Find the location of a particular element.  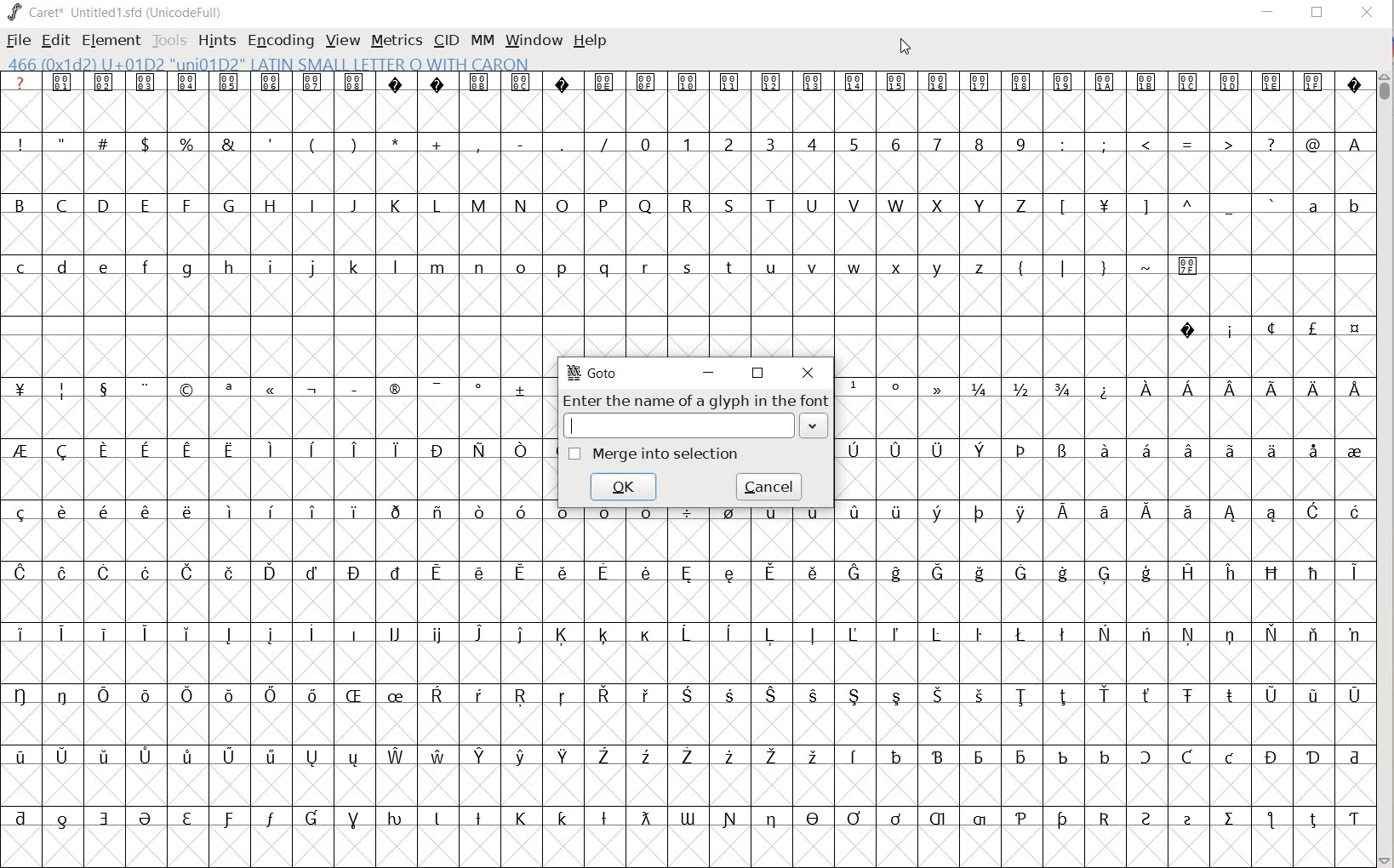

ELEMENT is located at coordinates (109, 40).